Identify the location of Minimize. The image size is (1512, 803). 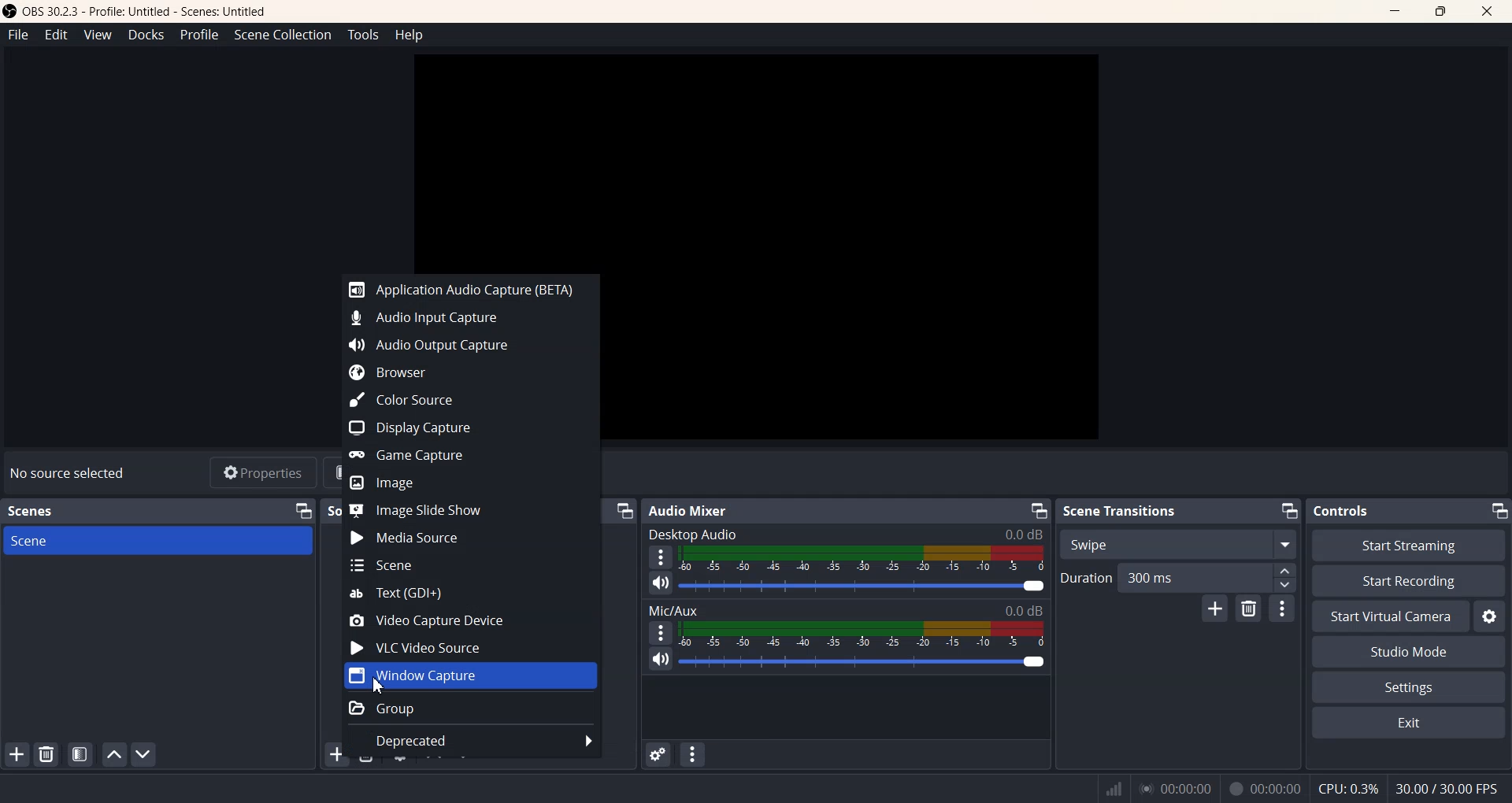
(1289, 511).